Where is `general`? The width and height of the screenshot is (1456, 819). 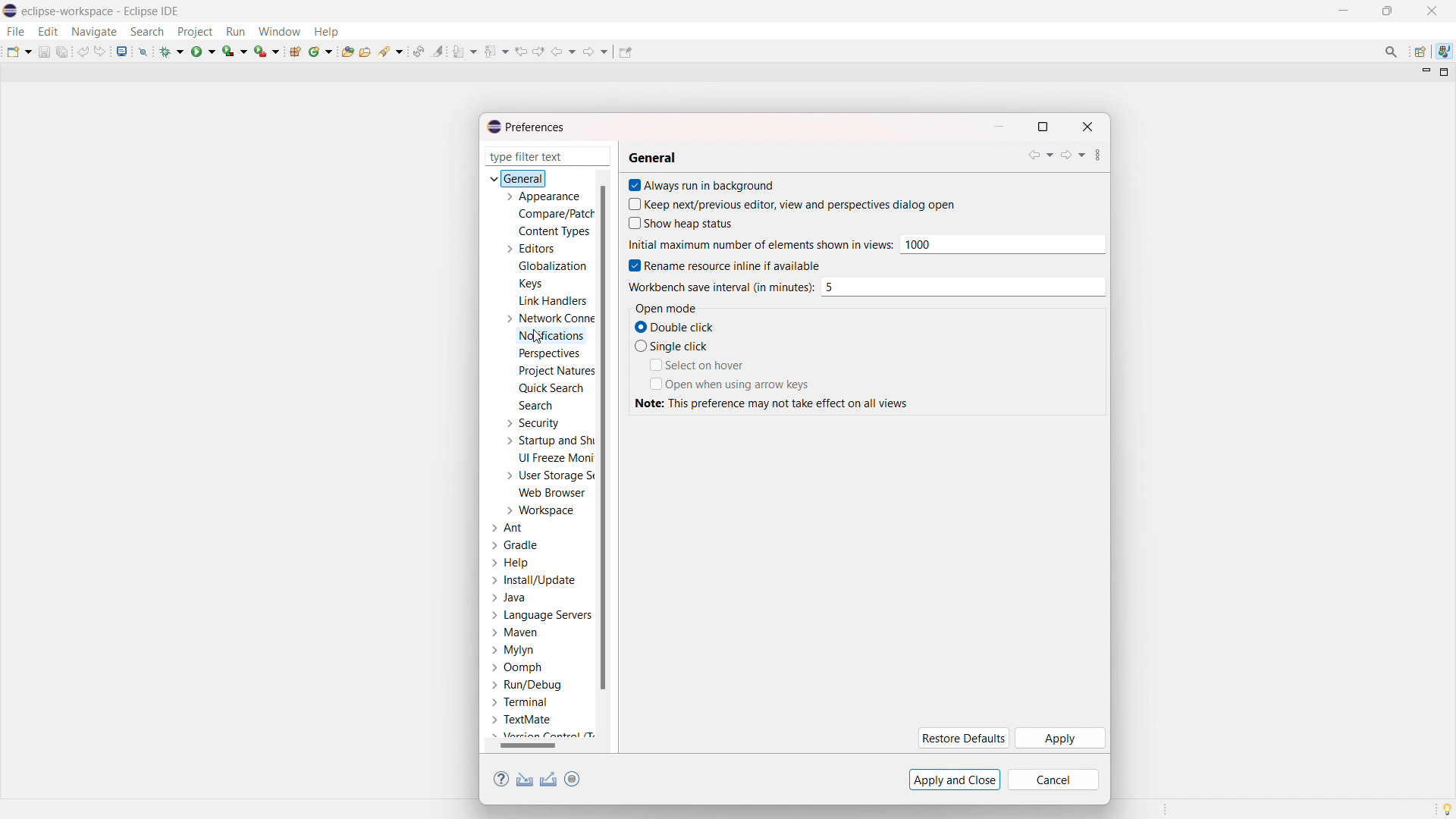 general is located at coordinates (652, 159).